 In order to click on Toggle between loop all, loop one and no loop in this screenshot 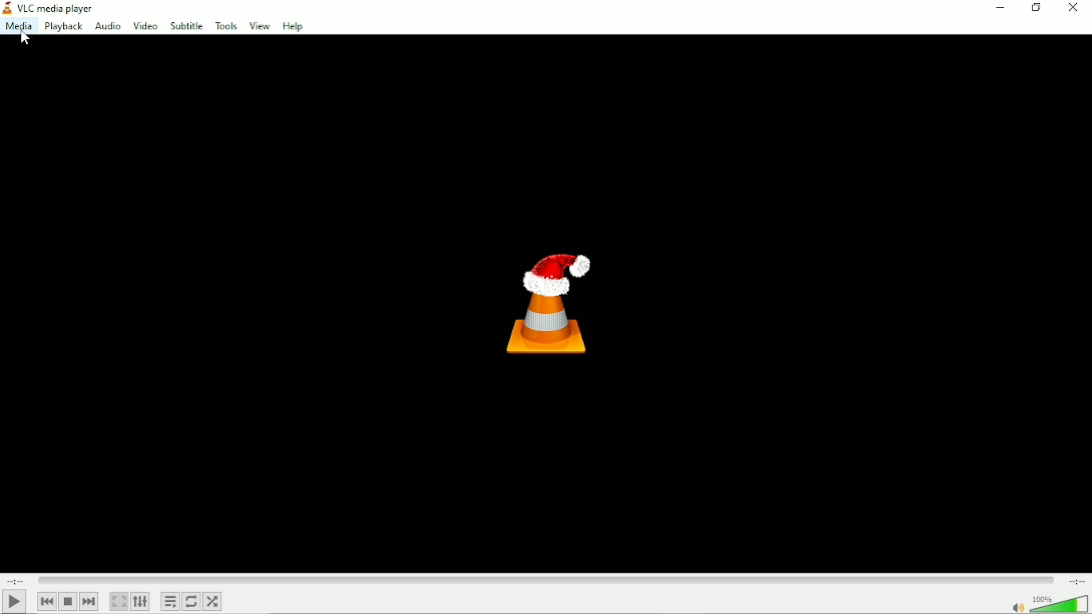, I will do `click(191, 602)`.